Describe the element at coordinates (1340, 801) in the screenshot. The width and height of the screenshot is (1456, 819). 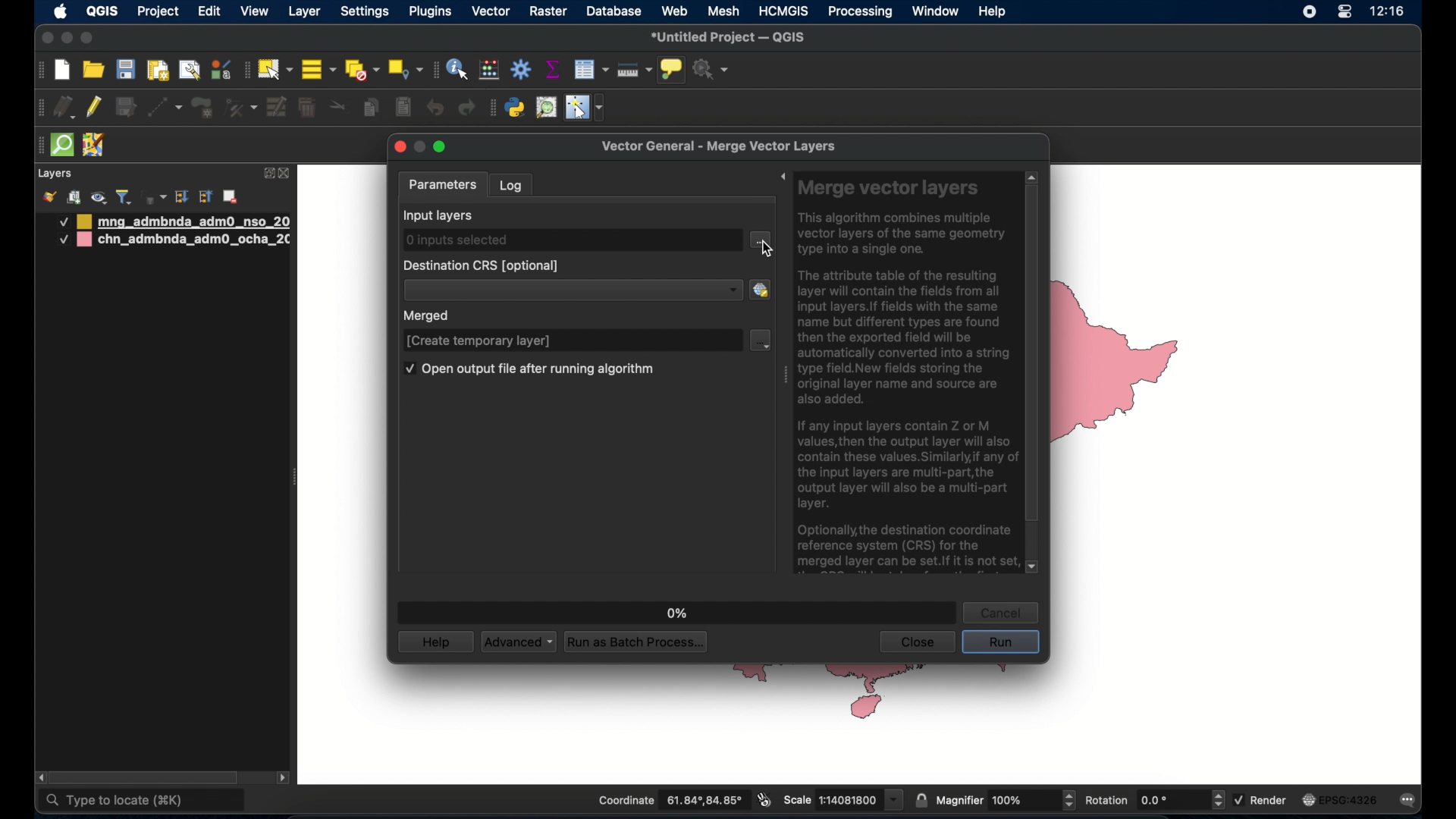
I see `EPSG:4326` at that location.